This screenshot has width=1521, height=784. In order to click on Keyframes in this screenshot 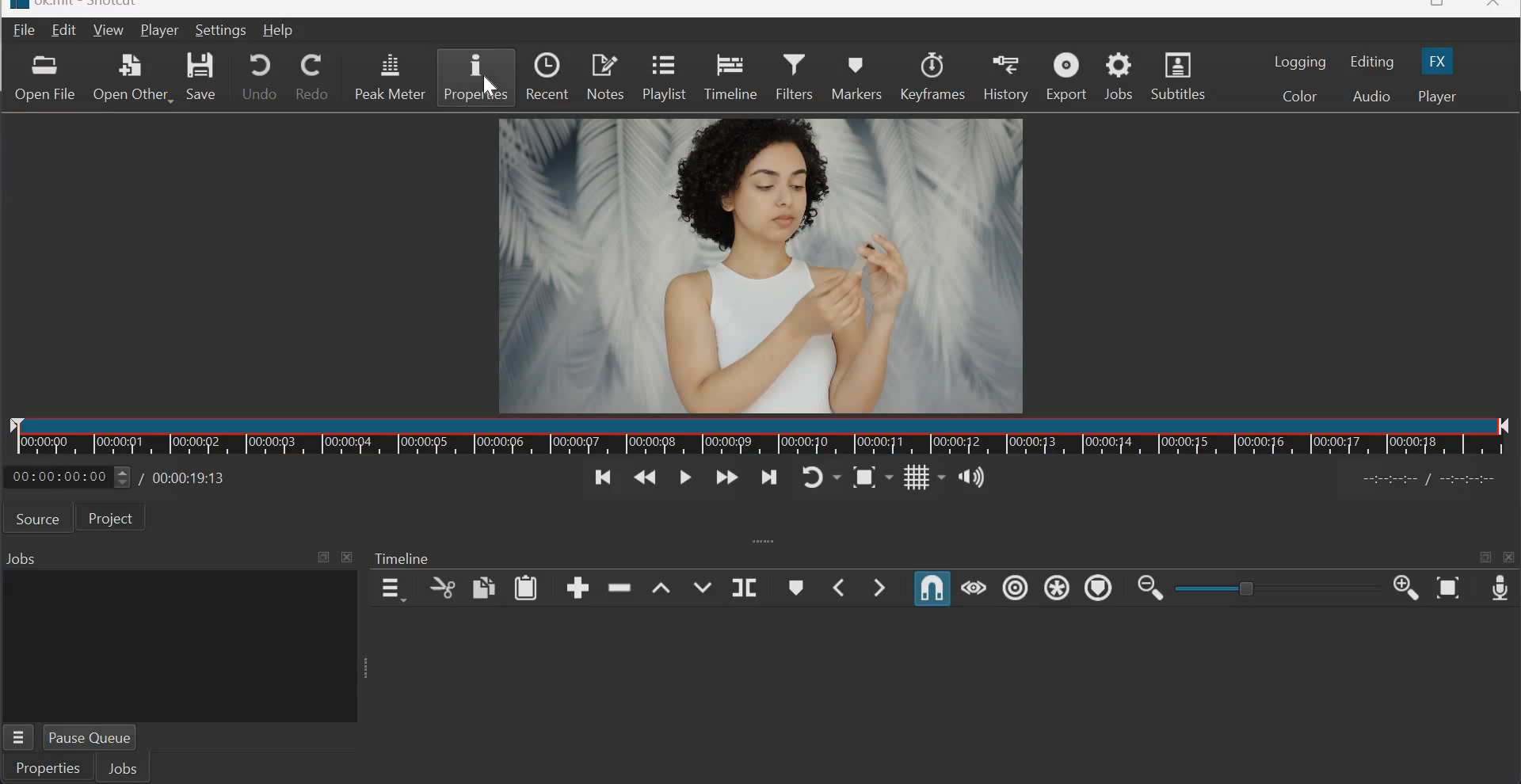, I will do `click(933, 75)`.